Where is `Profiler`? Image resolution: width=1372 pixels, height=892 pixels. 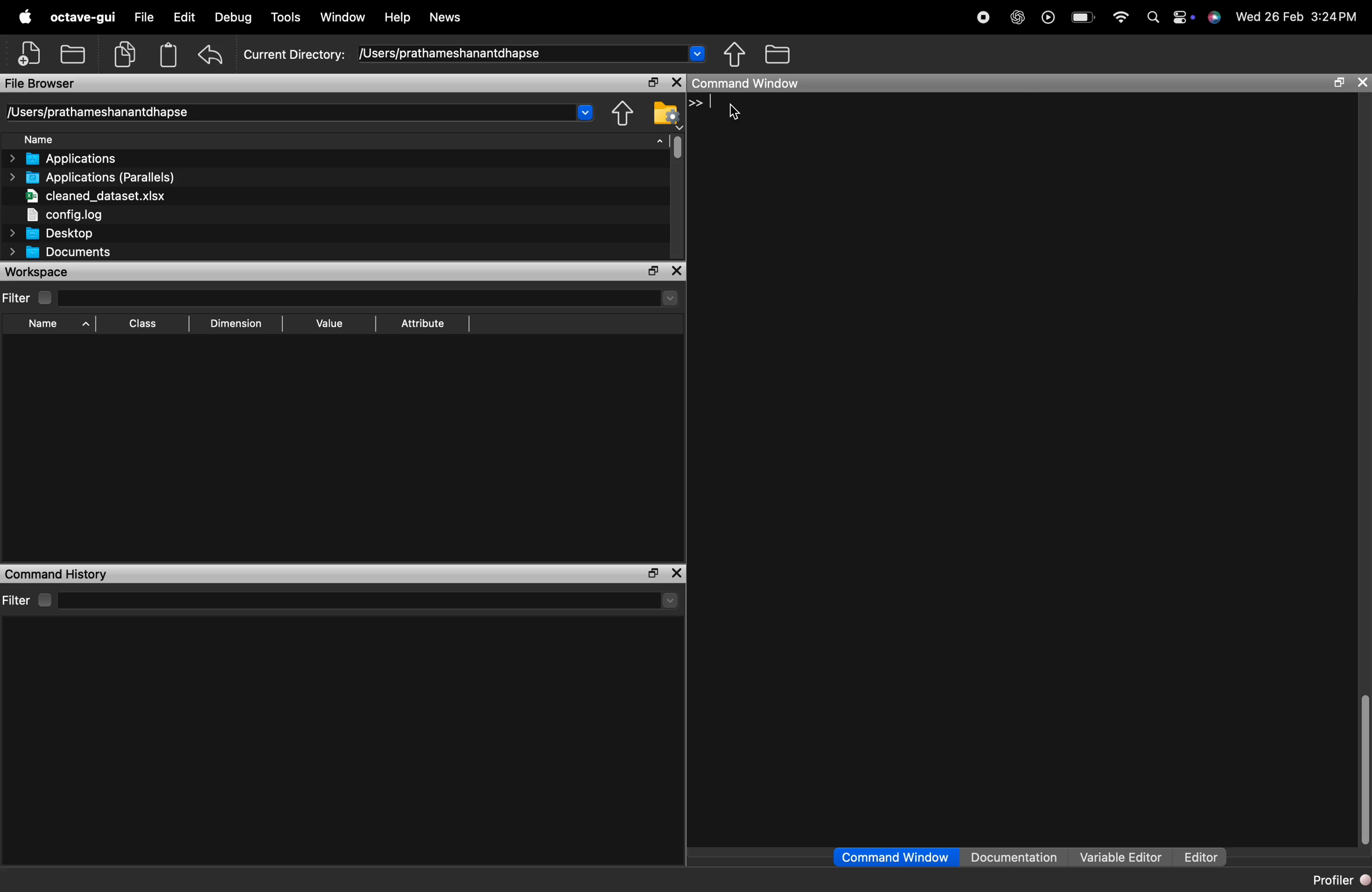
Profiler is located at coordinates (1340, 880).